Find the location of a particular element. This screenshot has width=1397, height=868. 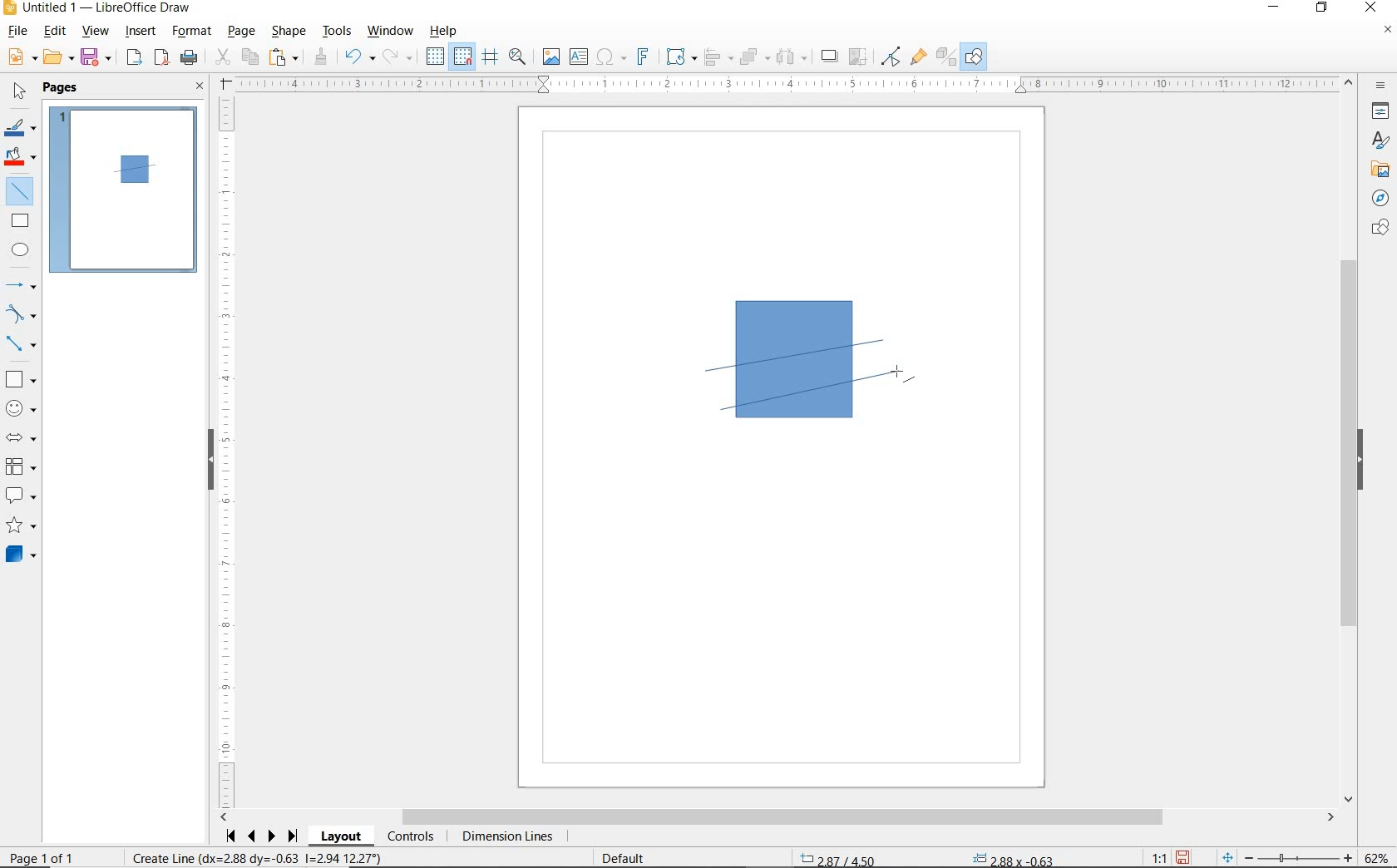

STARS AND BANNERS is located at coordinates (21, 526).